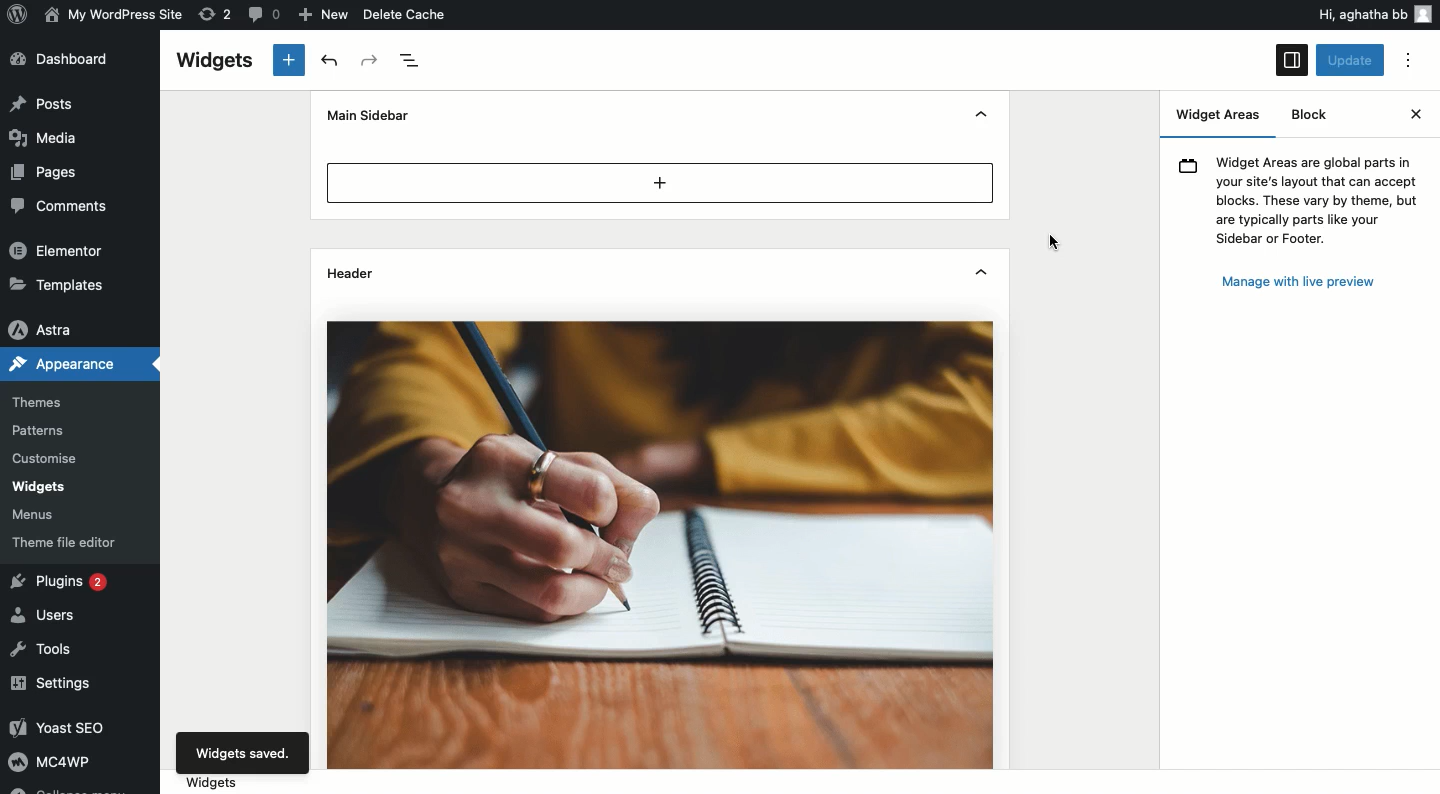 The image size is (1440, 794). Describe the element at coordinates (290, 60) in the screenshot. I see `New block` at that location.